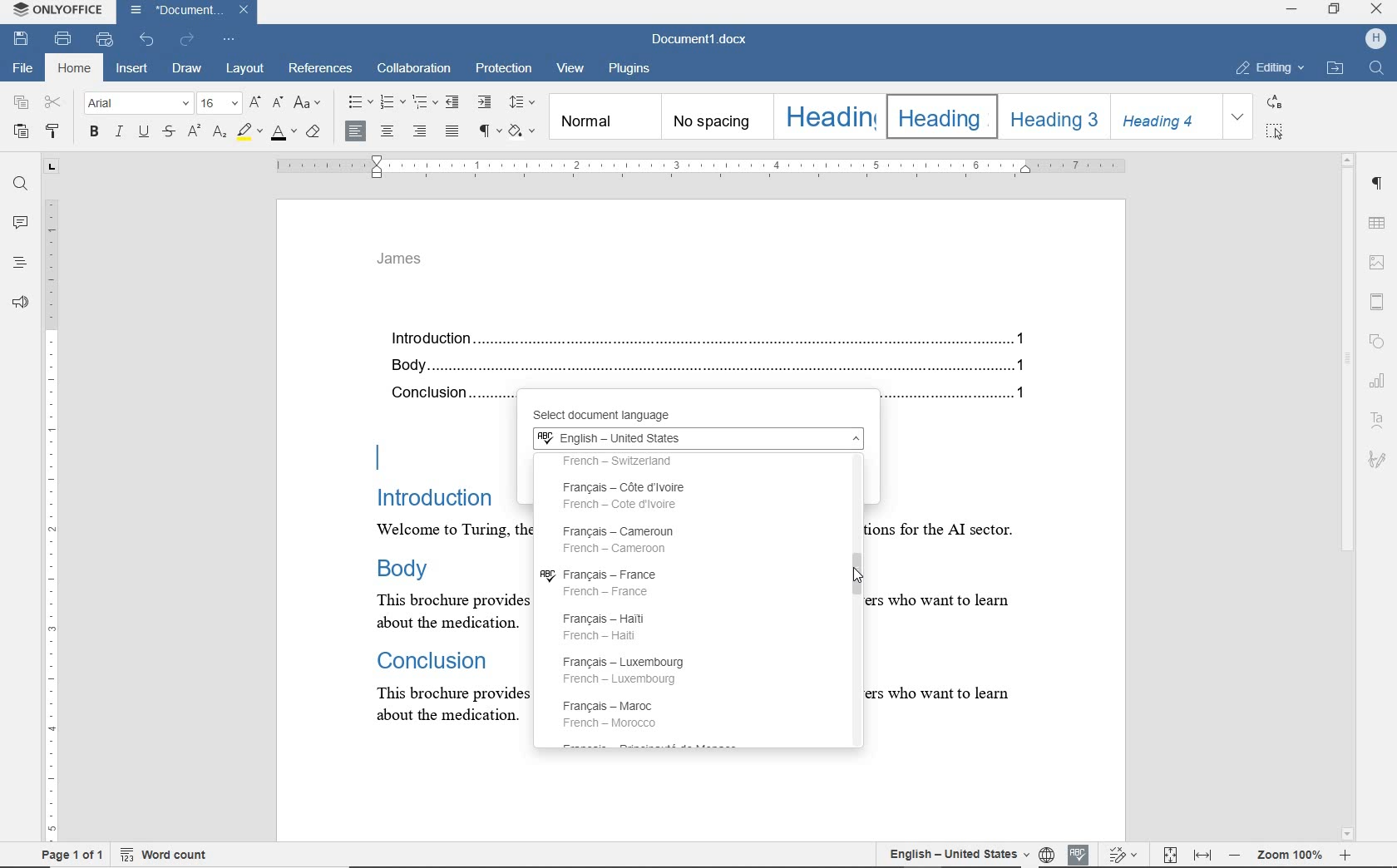 The width and height of the screenshot is (1397, 868). Describe the element at coordinates (54, 103) in the screenshot. I see `cut` at that location.